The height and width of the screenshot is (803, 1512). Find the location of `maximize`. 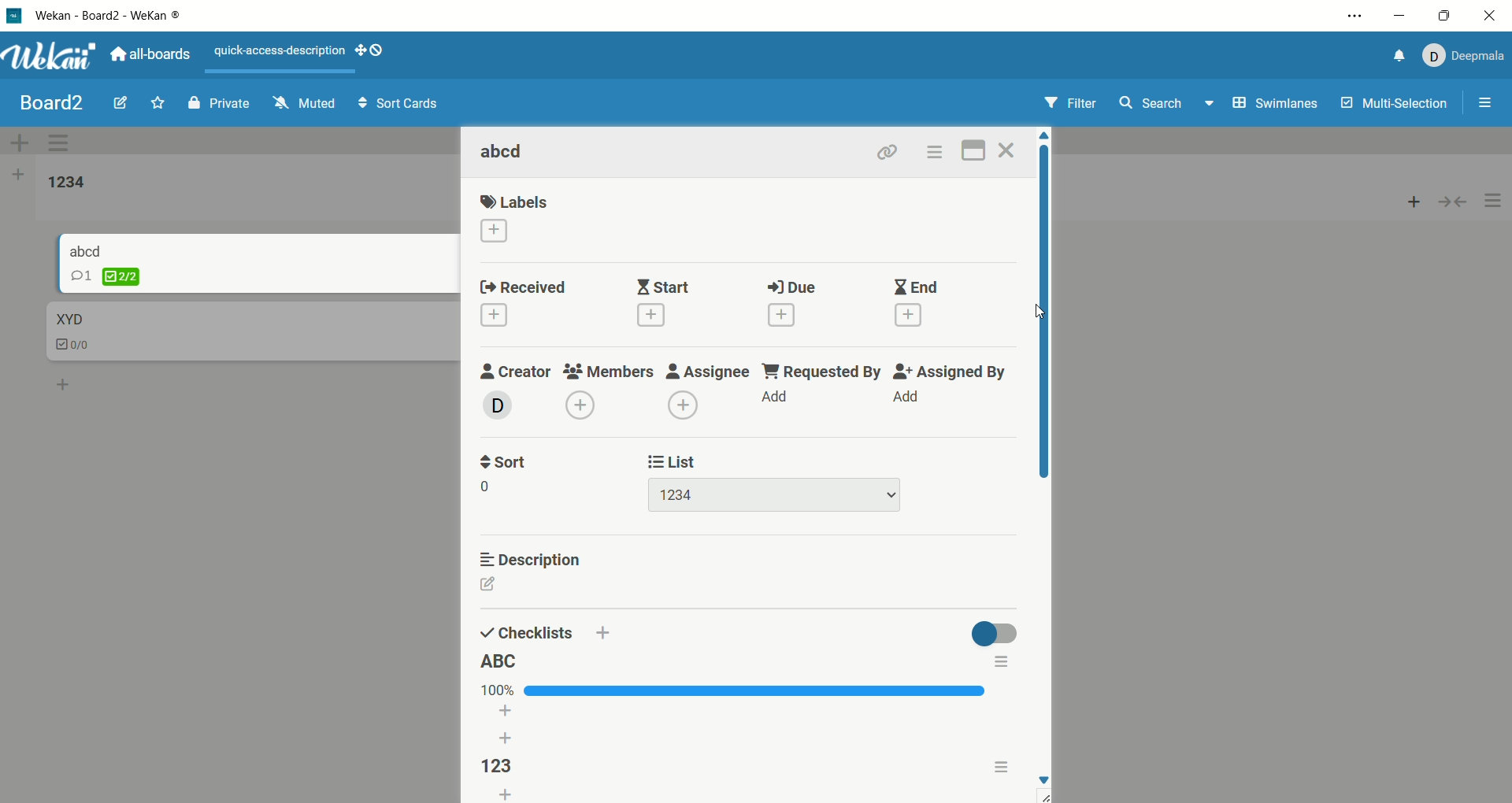

maximize is located at coordinates (1444, 17).